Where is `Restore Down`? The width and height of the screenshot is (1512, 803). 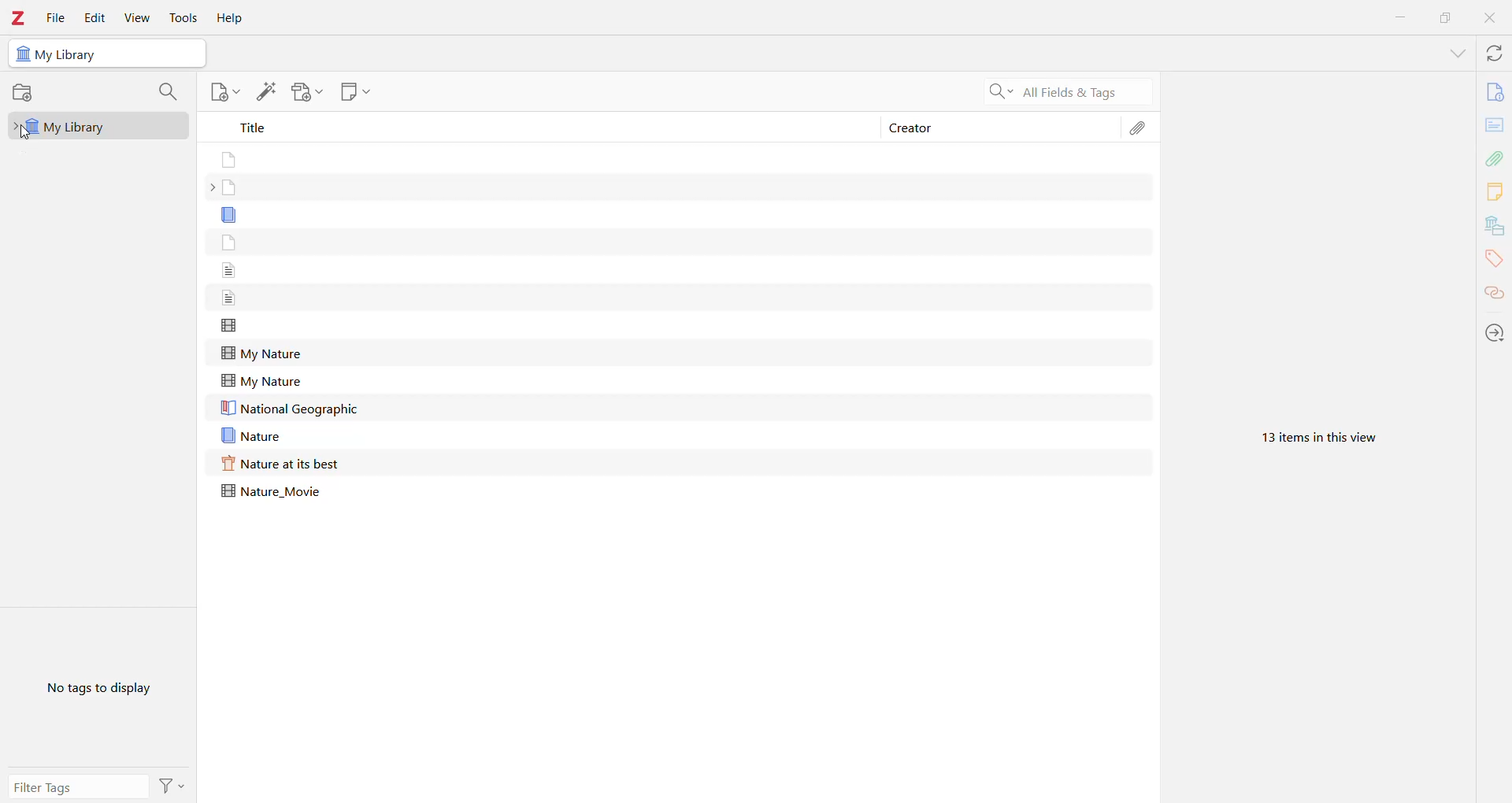 Restore Down is located at coordinates (1446, 17).